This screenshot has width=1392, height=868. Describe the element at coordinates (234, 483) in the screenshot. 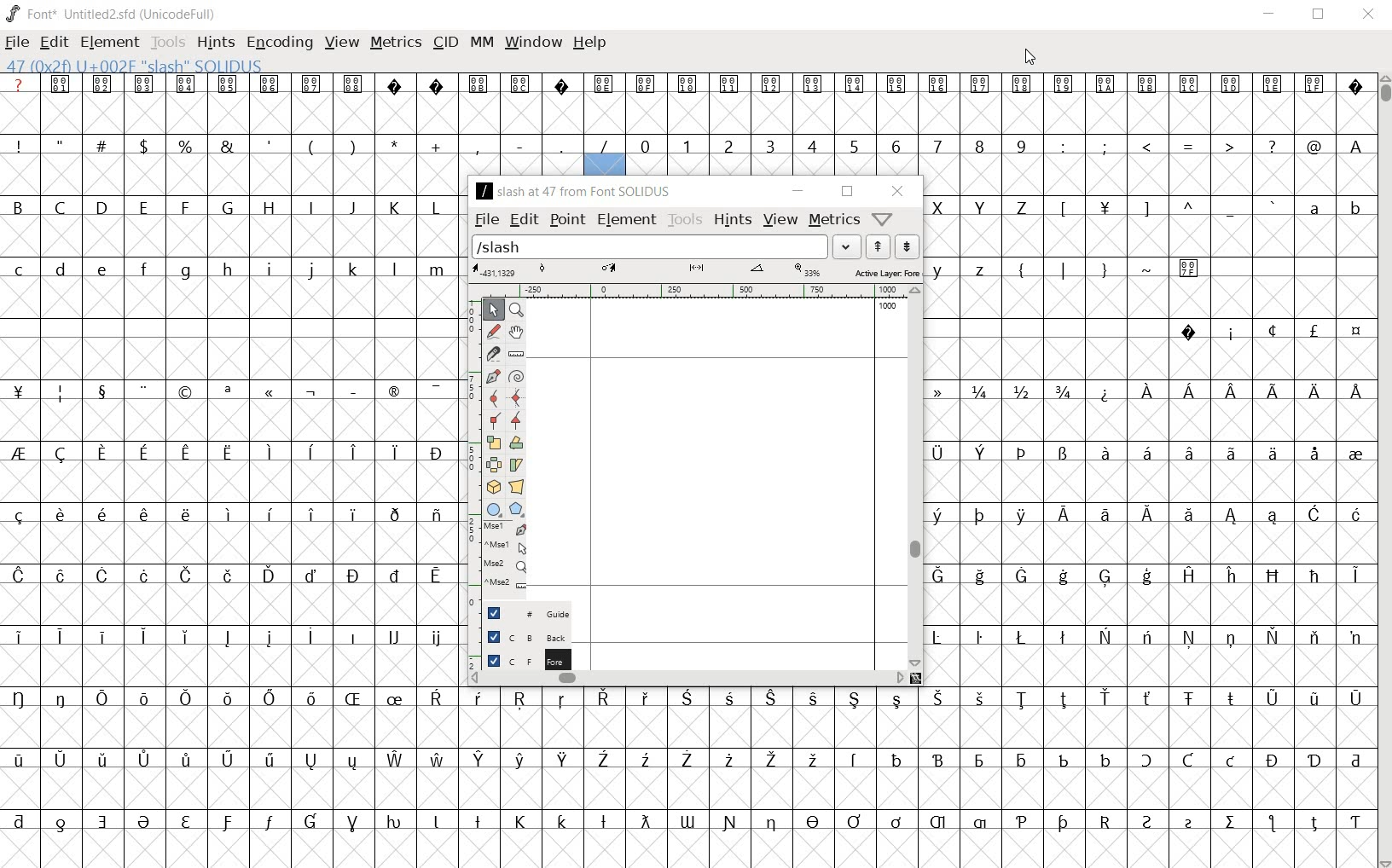

I see `empty cells` at that location.